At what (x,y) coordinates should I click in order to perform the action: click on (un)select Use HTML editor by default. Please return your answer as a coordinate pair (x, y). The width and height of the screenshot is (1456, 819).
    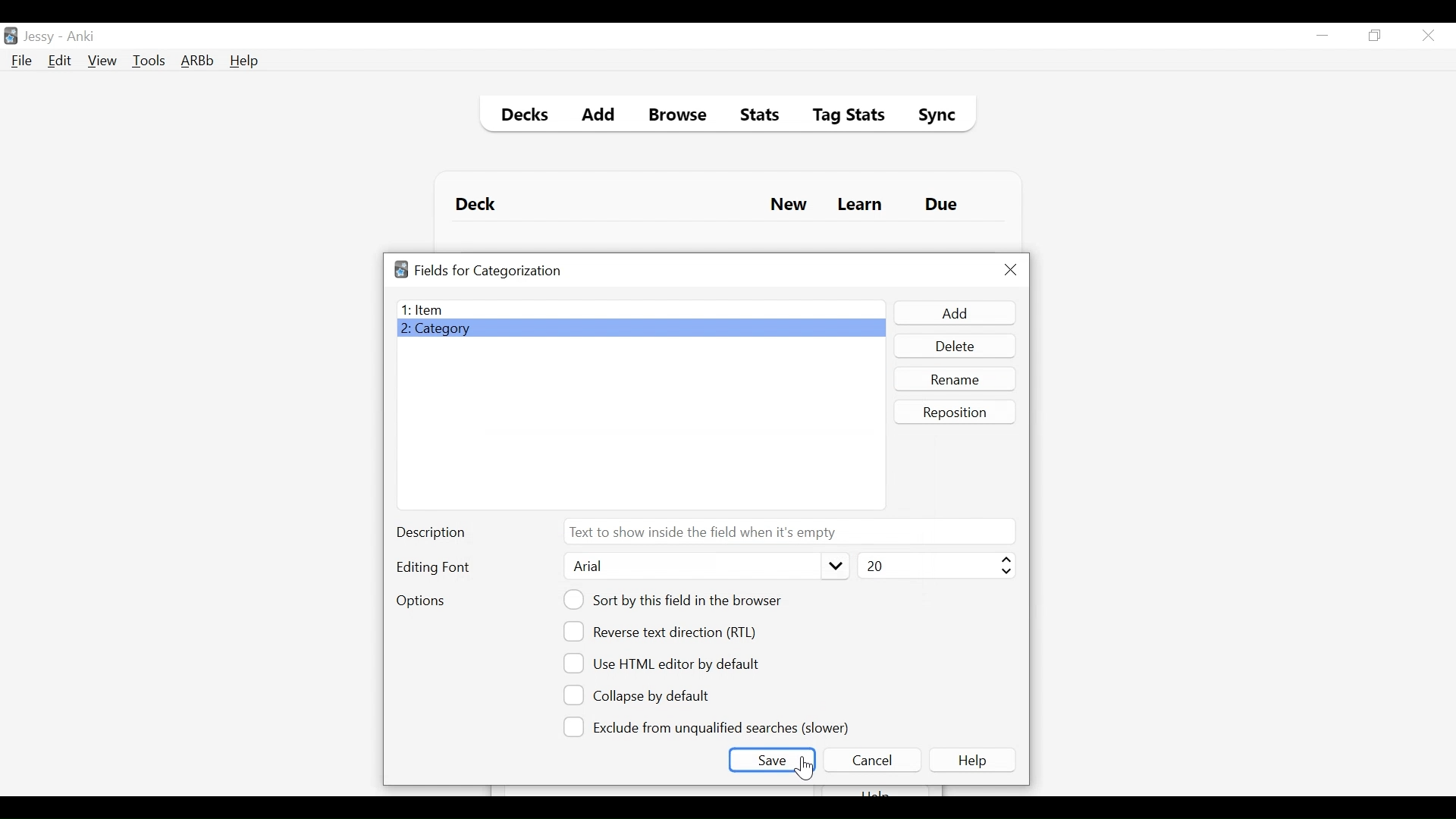
    Looking at the image, I should click on (666, 663).